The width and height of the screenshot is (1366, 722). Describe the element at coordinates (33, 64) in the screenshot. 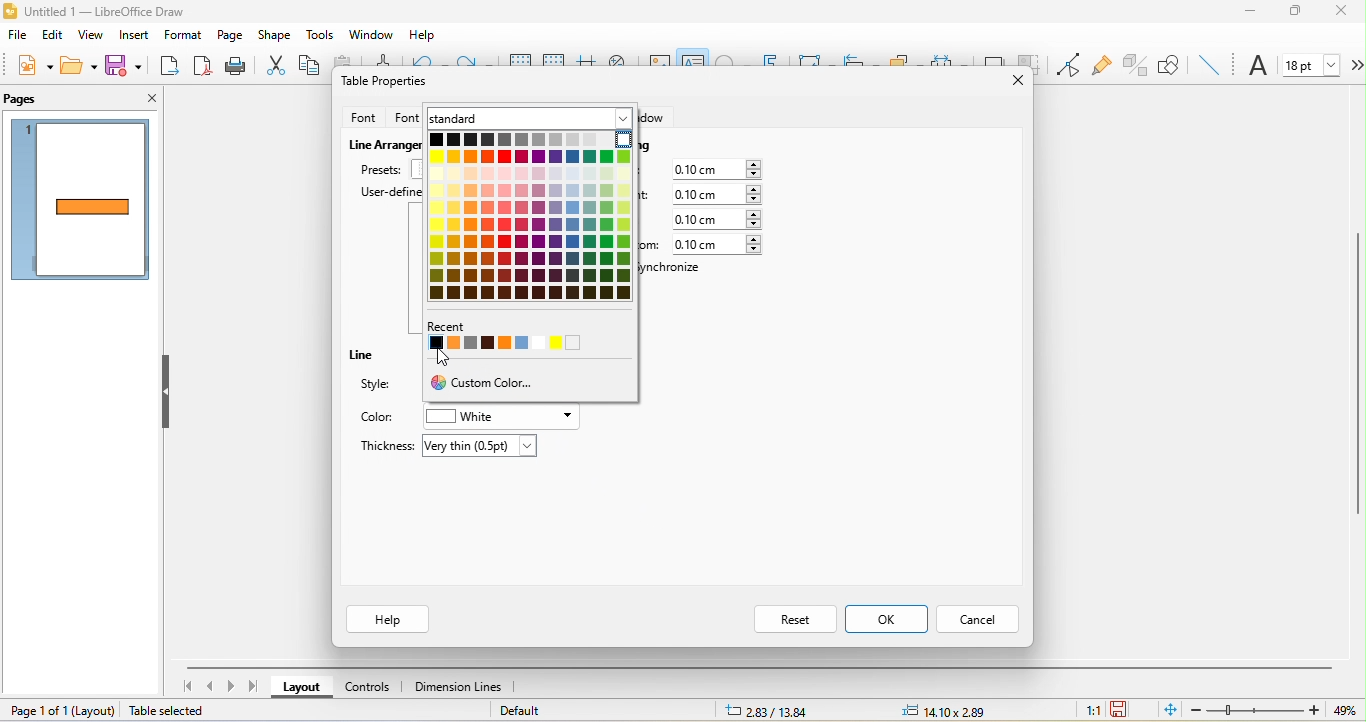

I see `new` at that location.